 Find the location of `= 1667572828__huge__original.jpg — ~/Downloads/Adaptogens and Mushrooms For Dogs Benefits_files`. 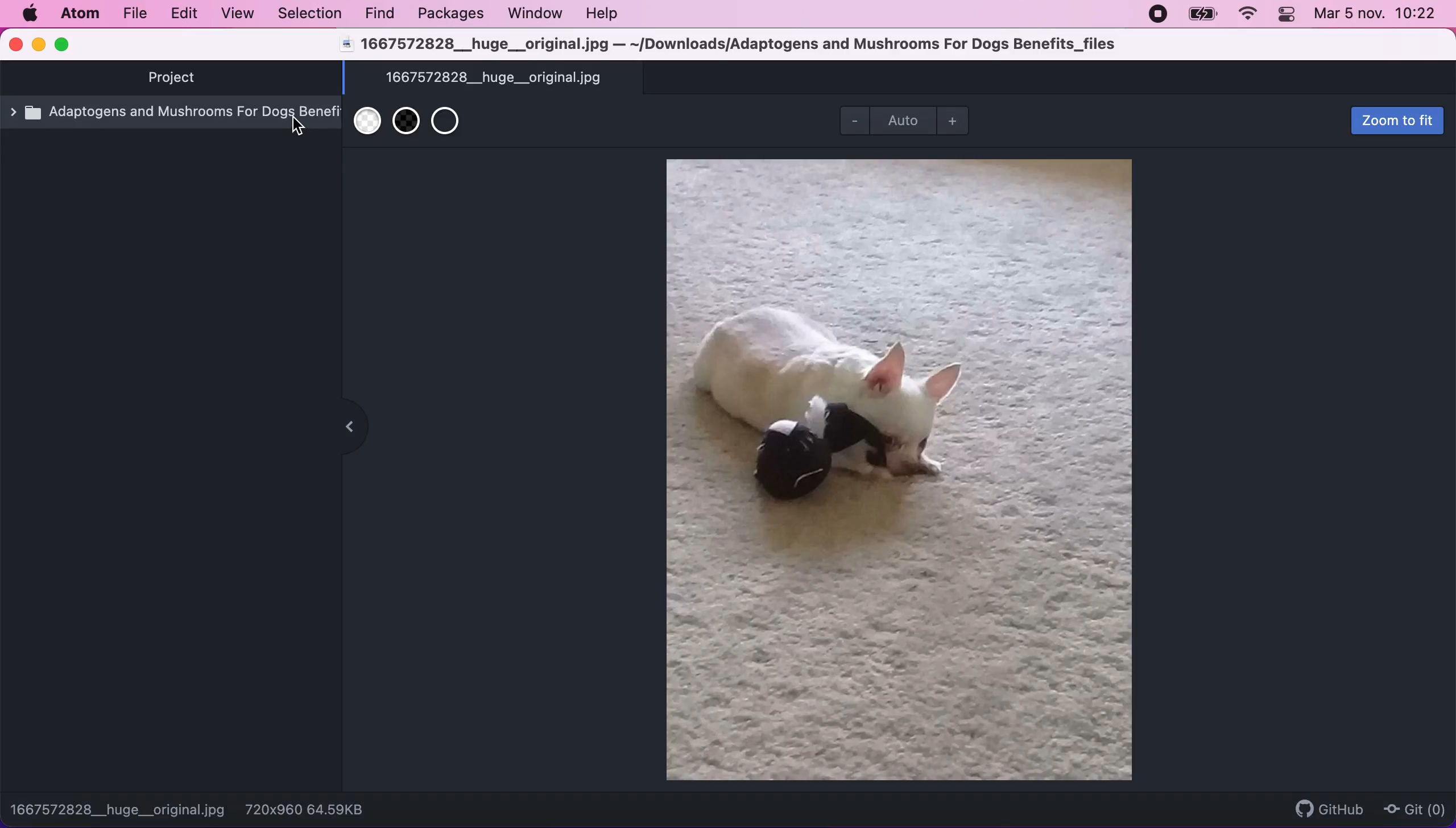

= 1667572828__huge__original.jpg — ~/Downloads/Adaptogens and Mushrooms For Dogs Benefits_files is located at coordinates (732, 45).